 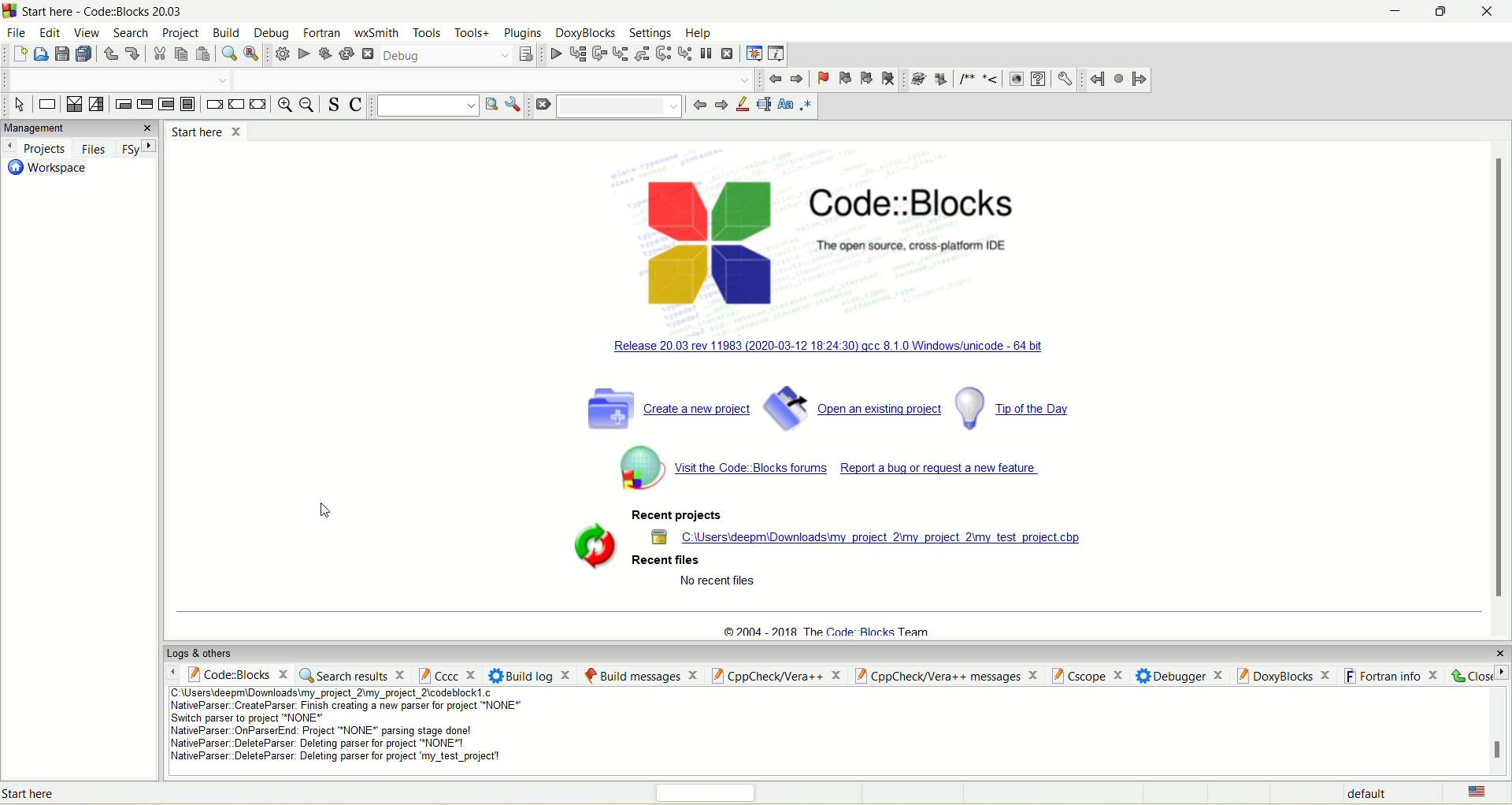 What do you see at coordinates (943, 80) in the screenshot?
I see `extract documentation` at bounding box center [943, 80].